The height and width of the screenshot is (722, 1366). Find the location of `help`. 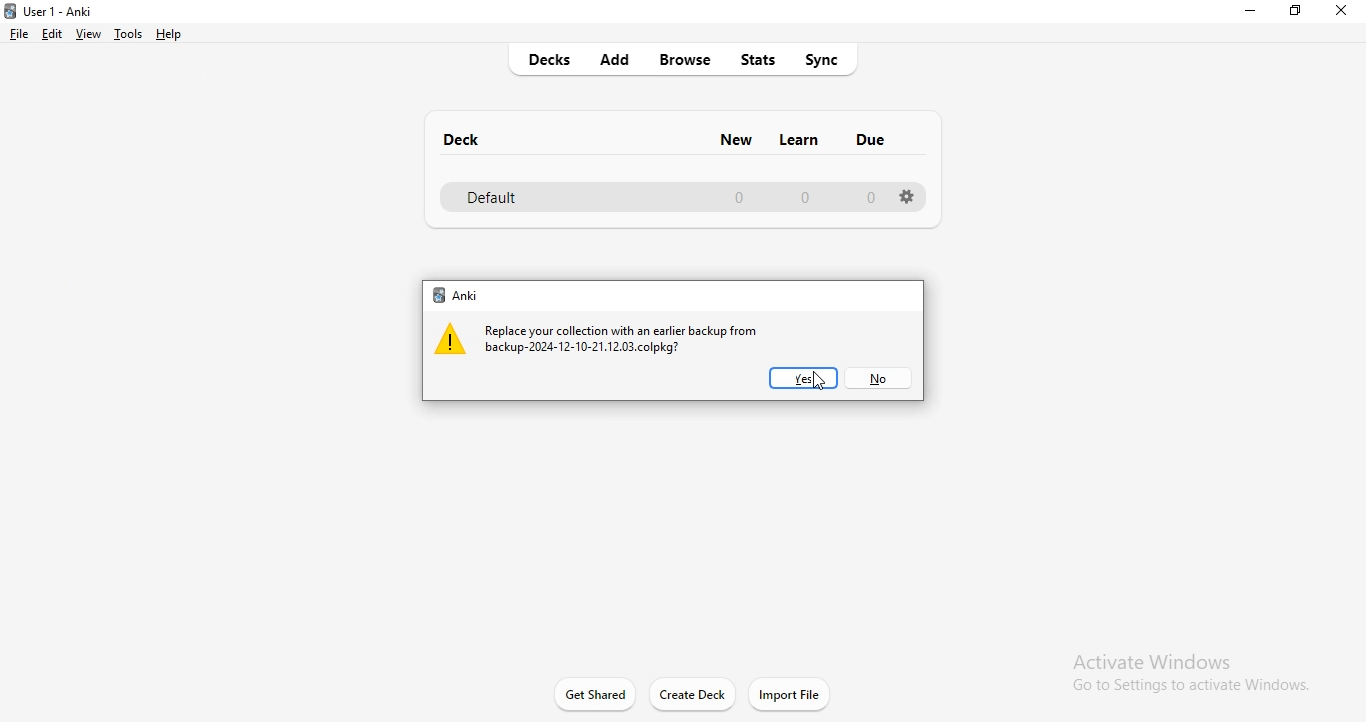

help is located at coordinates (174, 35).